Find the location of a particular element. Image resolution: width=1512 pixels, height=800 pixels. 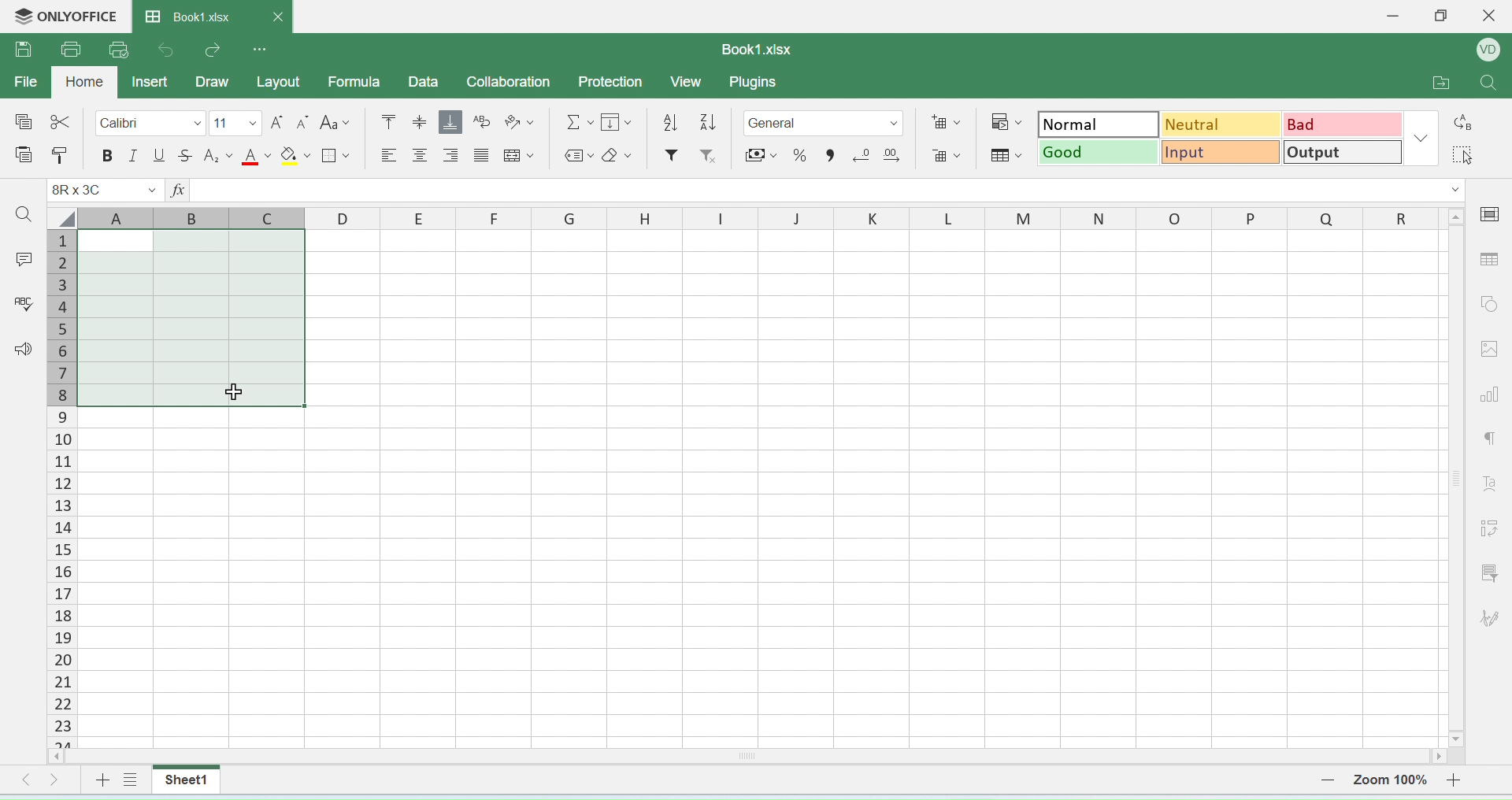

replace is located at coordinates (1466, 124).